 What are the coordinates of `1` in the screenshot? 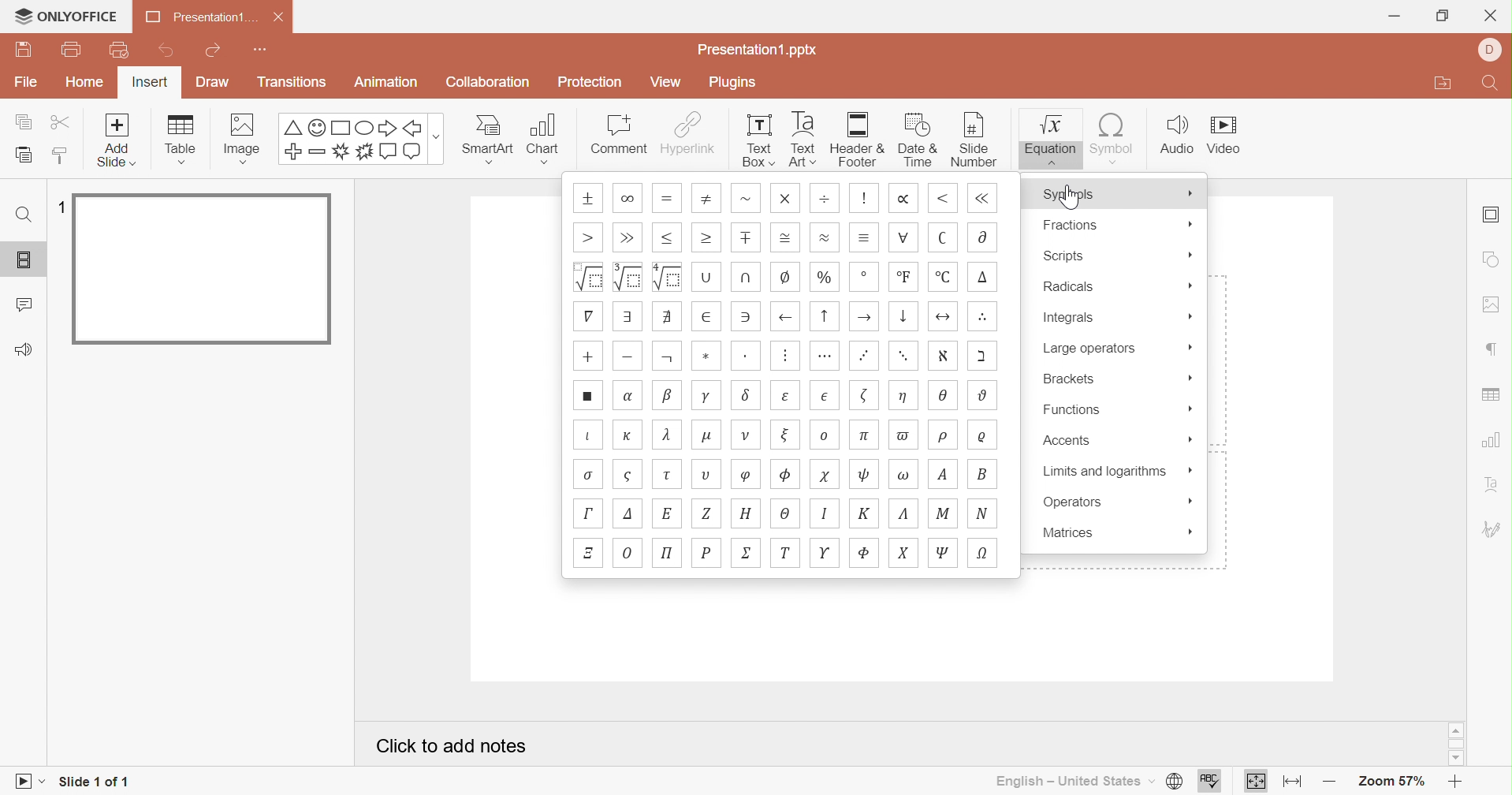 It's located at (62, 206).